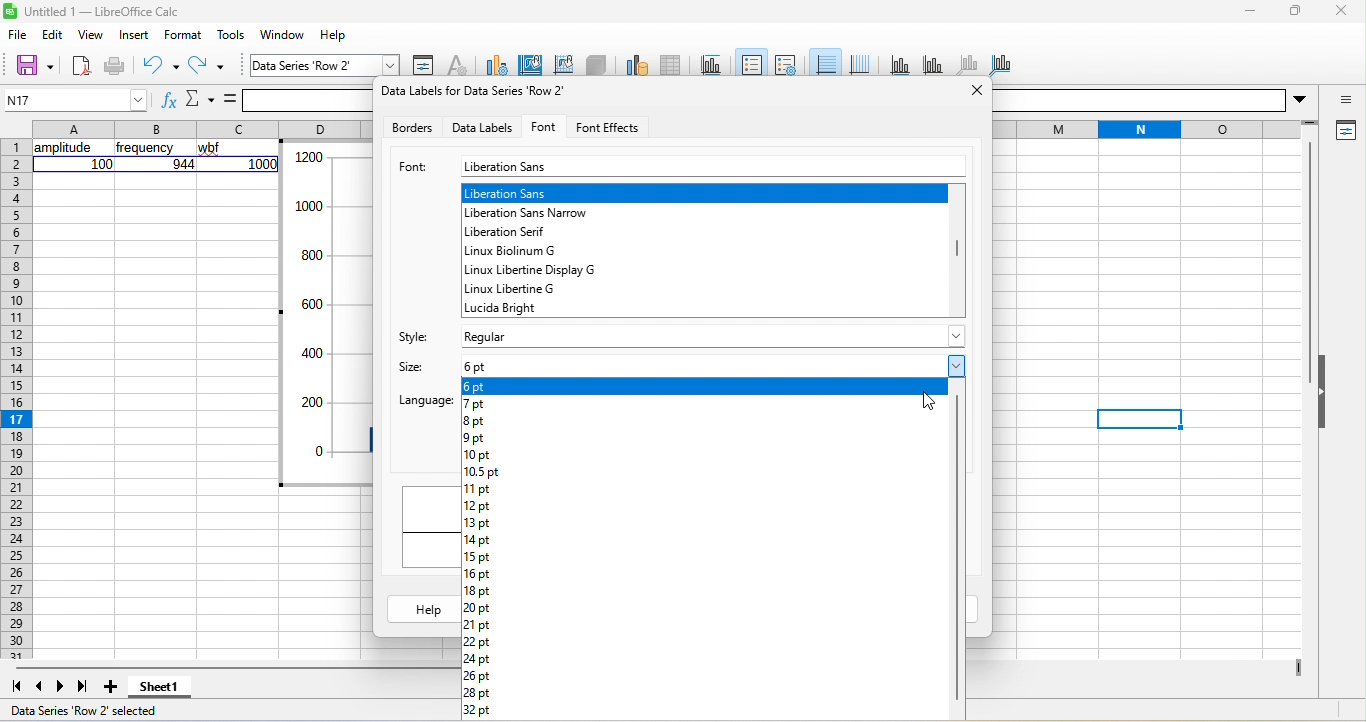  Describe the element at coordinates (63, 148) in the screenshot. I see `amplitude` at that location.